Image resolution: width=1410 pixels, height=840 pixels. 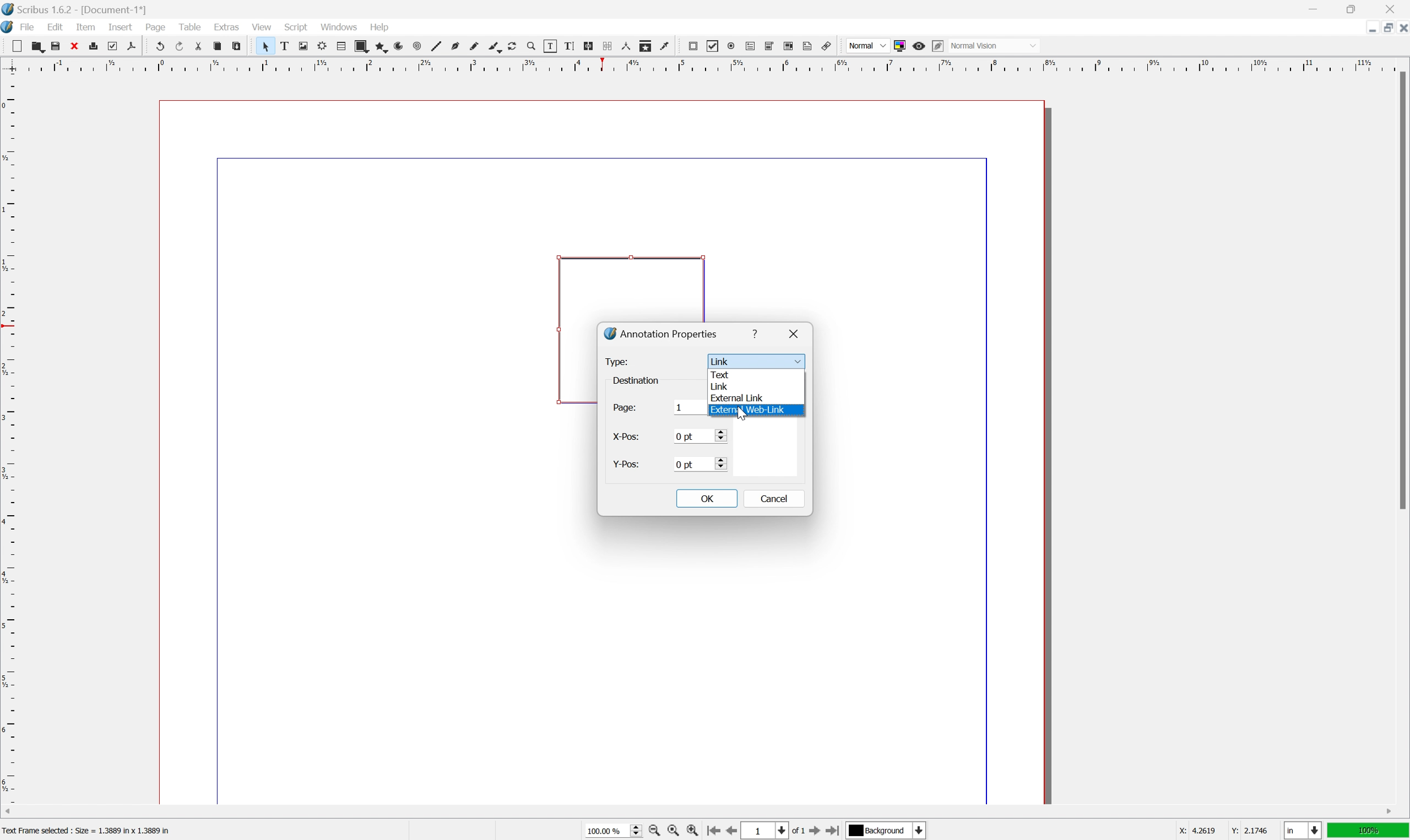 What do you see at coordinates (93, 45) in the screenshot?
I see `print` at bounding box center [93, 45].